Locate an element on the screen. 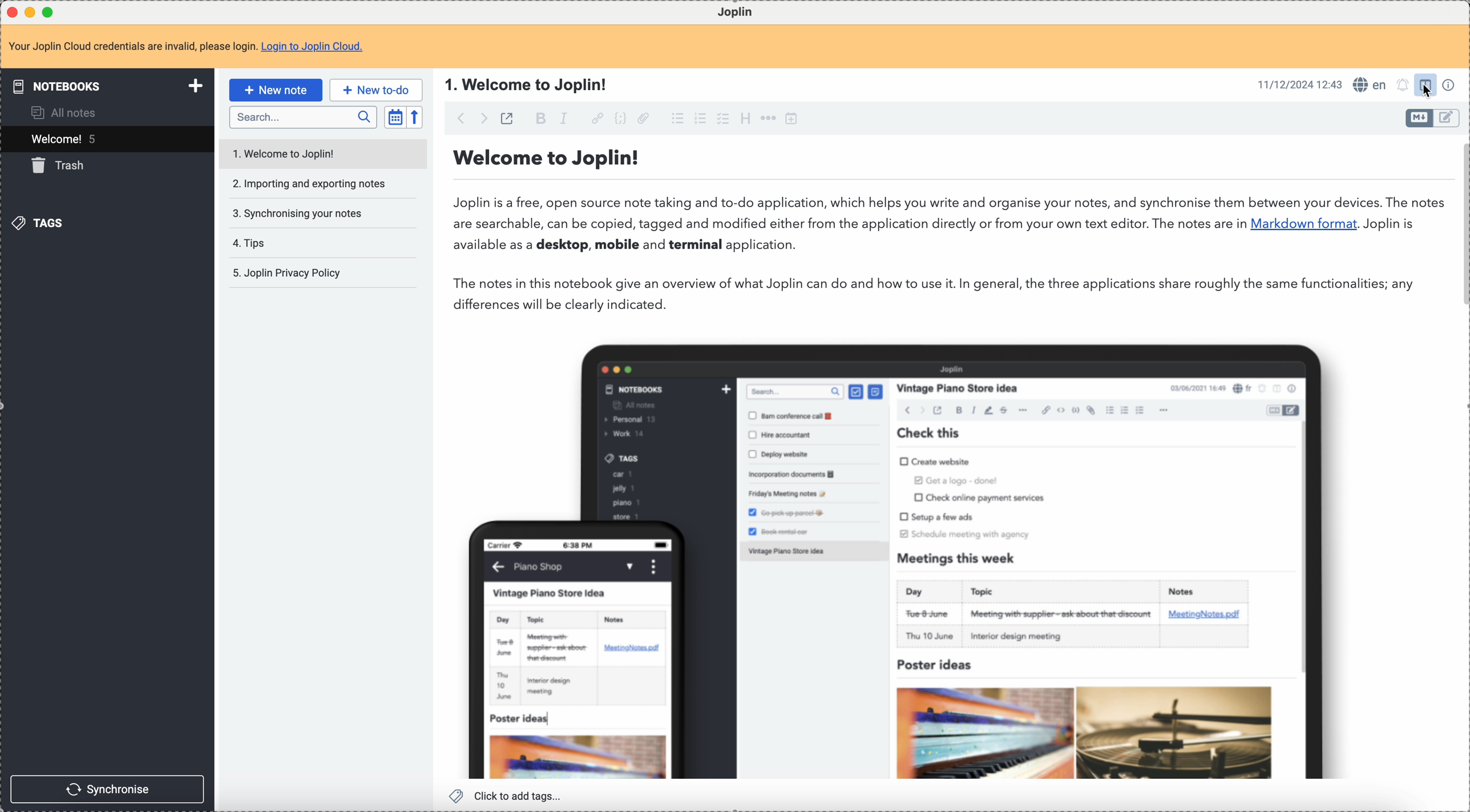 The image size is (1470, 812). toggle external editing is located at coordinates (509, 118).